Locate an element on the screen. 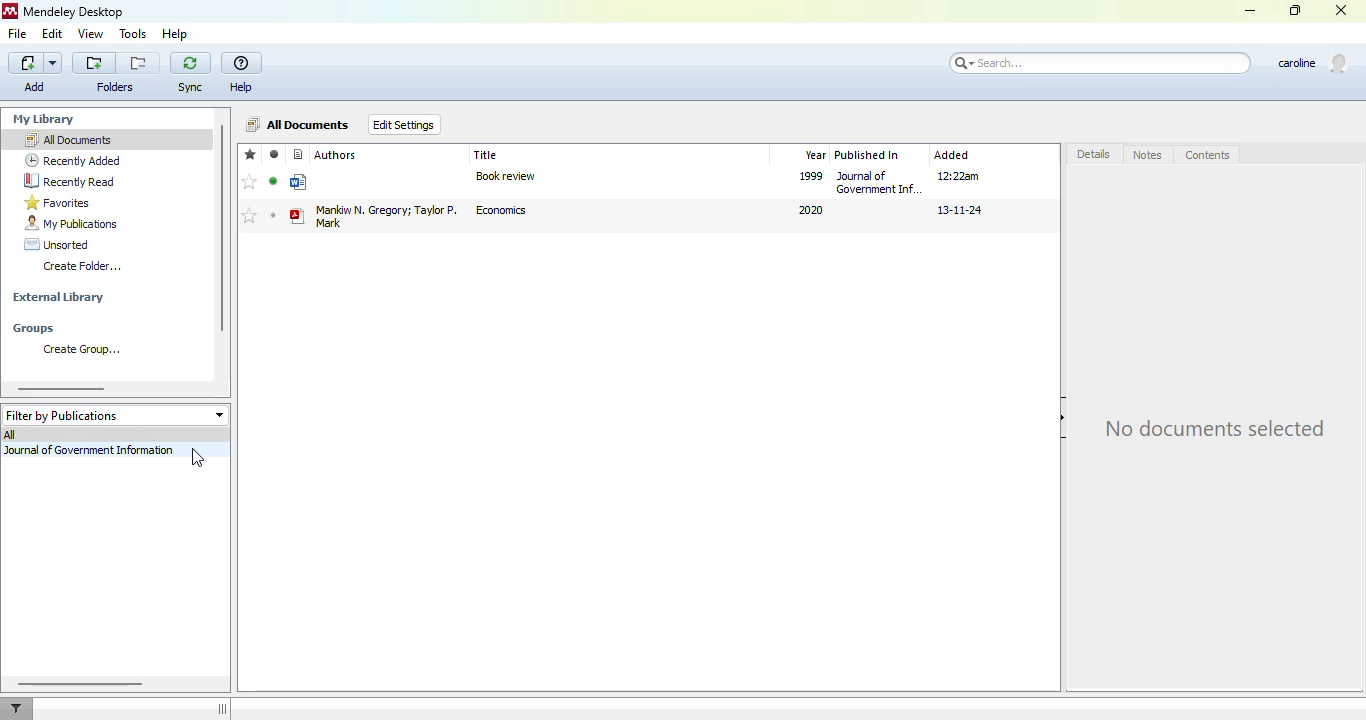  profile is located at coordinates (1314, 63).